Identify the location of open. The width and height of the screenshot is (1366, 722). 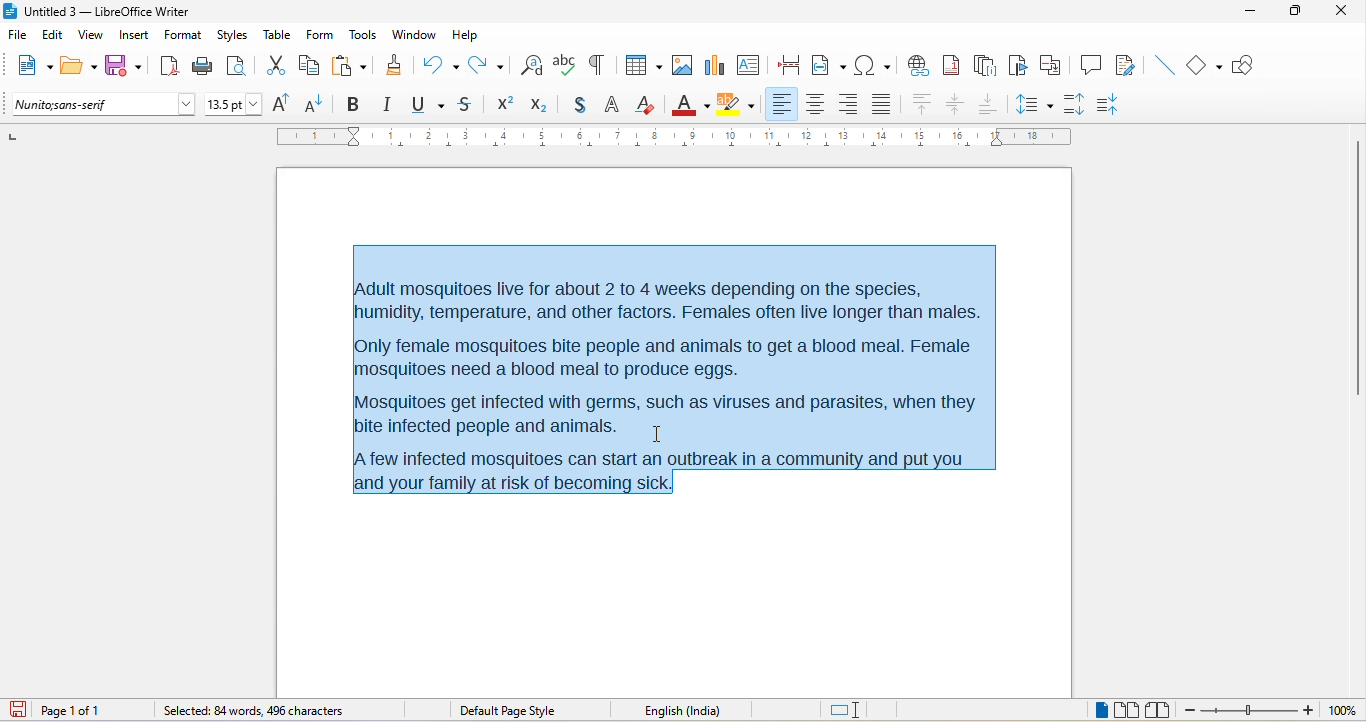
(79, 67).